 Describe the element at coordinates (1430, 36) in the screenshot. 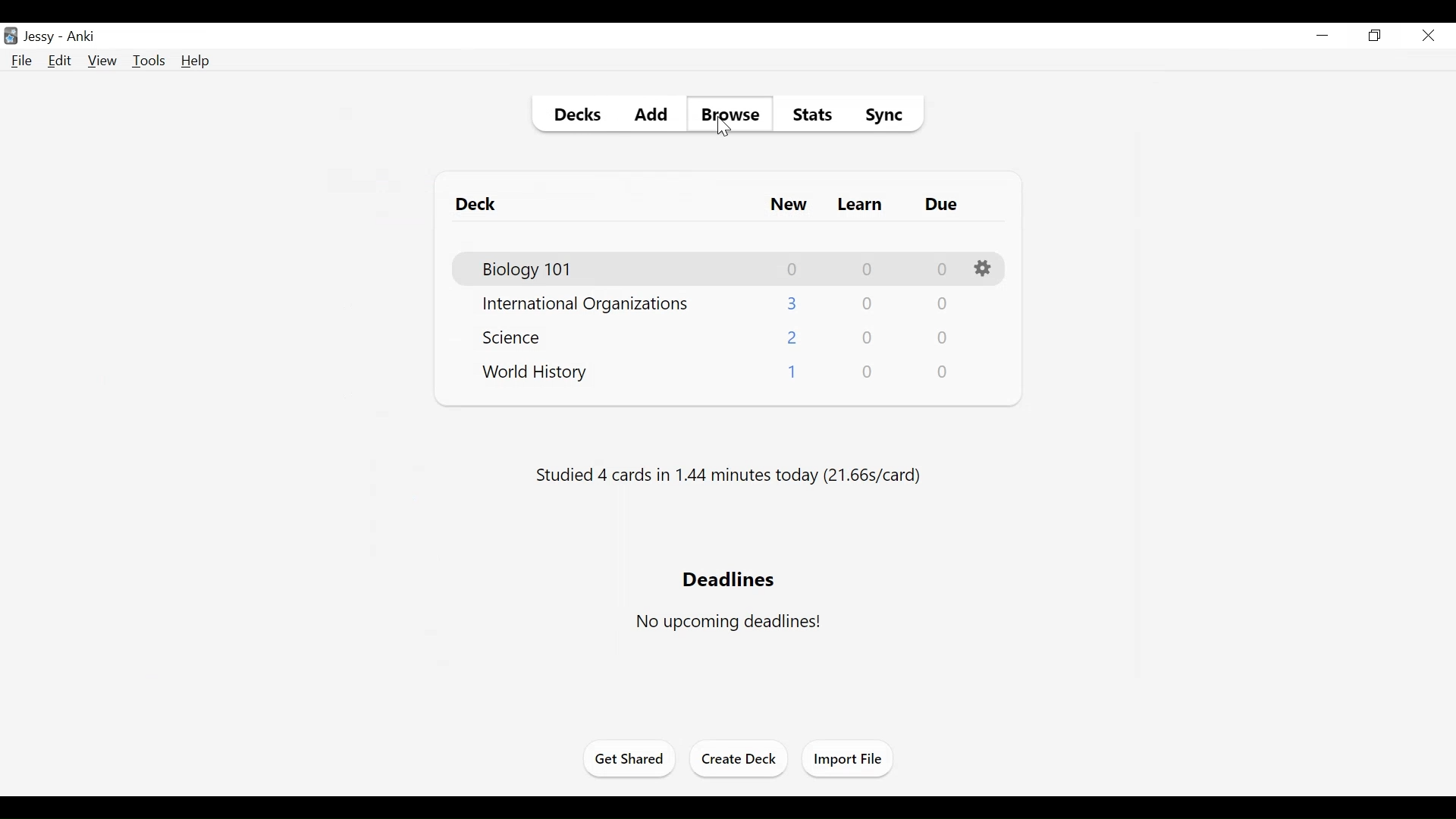

I see `Close` at that location.